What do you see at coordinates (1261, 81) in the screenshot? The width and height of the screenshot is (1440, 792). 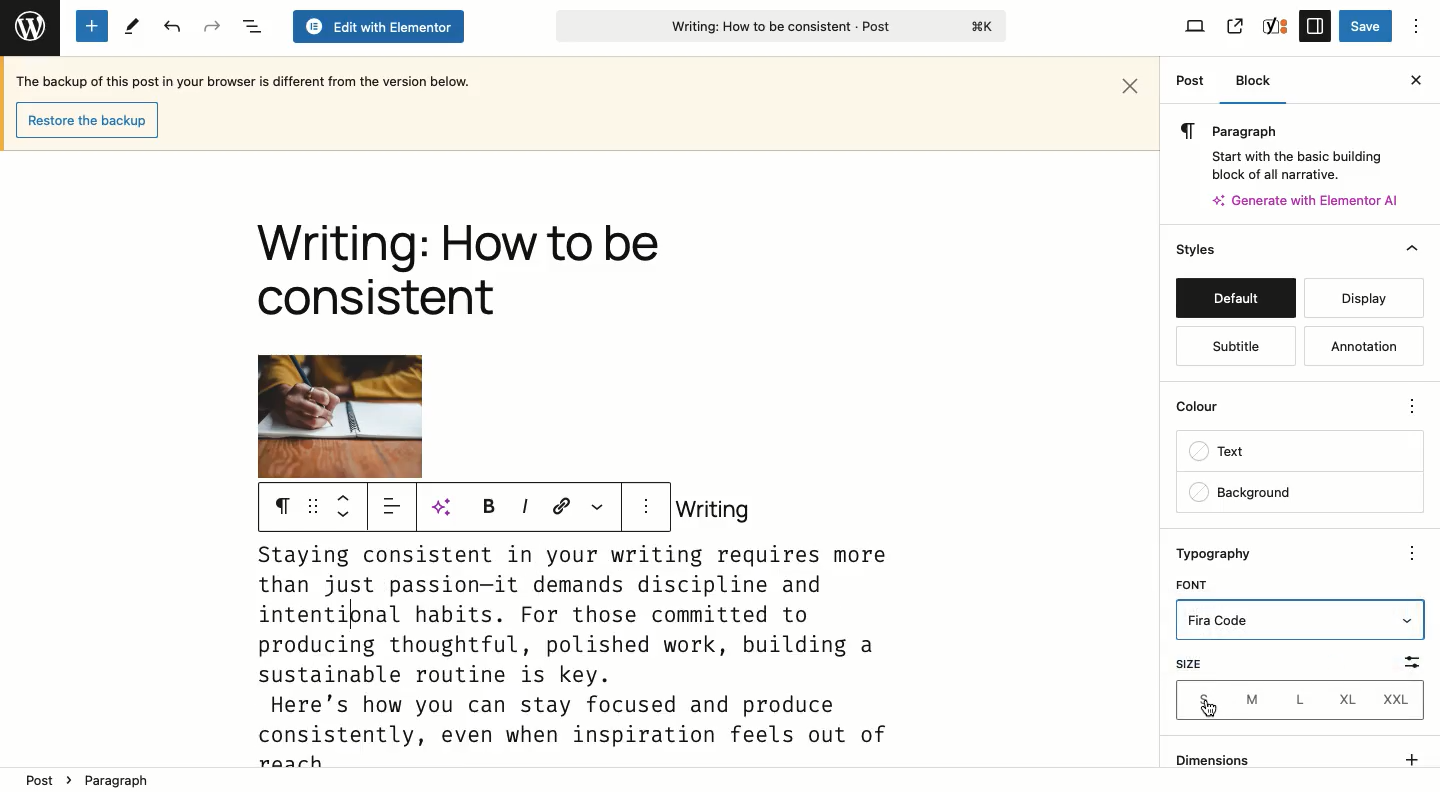 I see `Block` at bounding box center [1261, 81].